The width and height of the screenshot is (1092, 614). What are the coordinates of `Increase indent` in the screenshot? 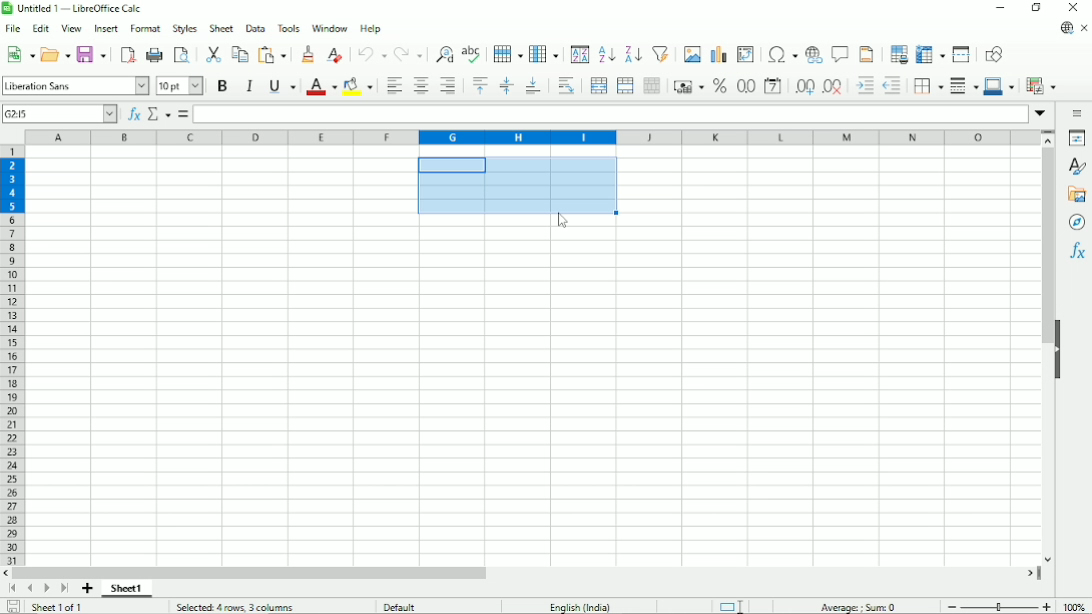 It's located at (863, 87).